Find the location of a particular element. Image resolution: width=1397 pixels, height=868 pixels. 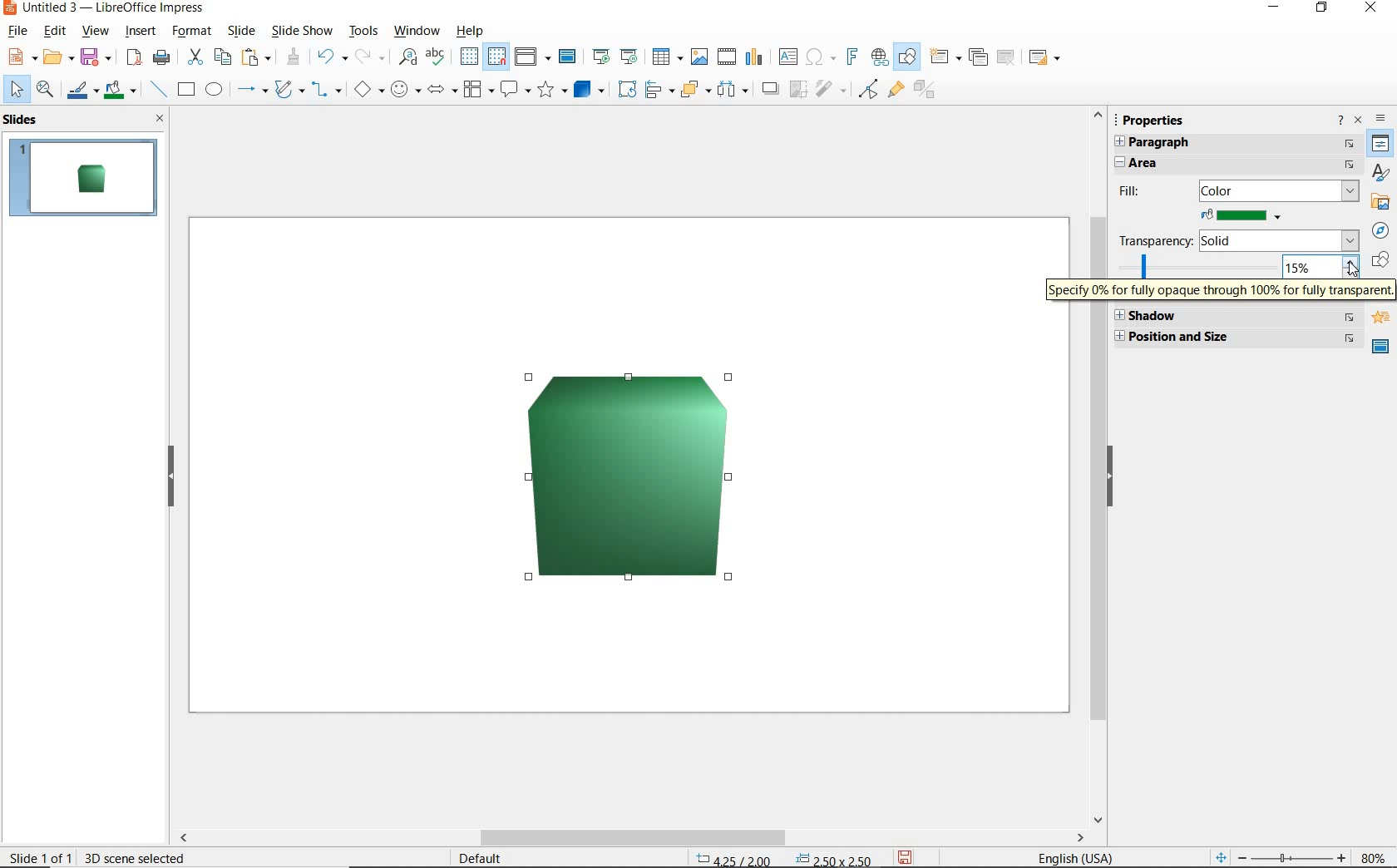

flowchart is located at coordinates (478, 89).